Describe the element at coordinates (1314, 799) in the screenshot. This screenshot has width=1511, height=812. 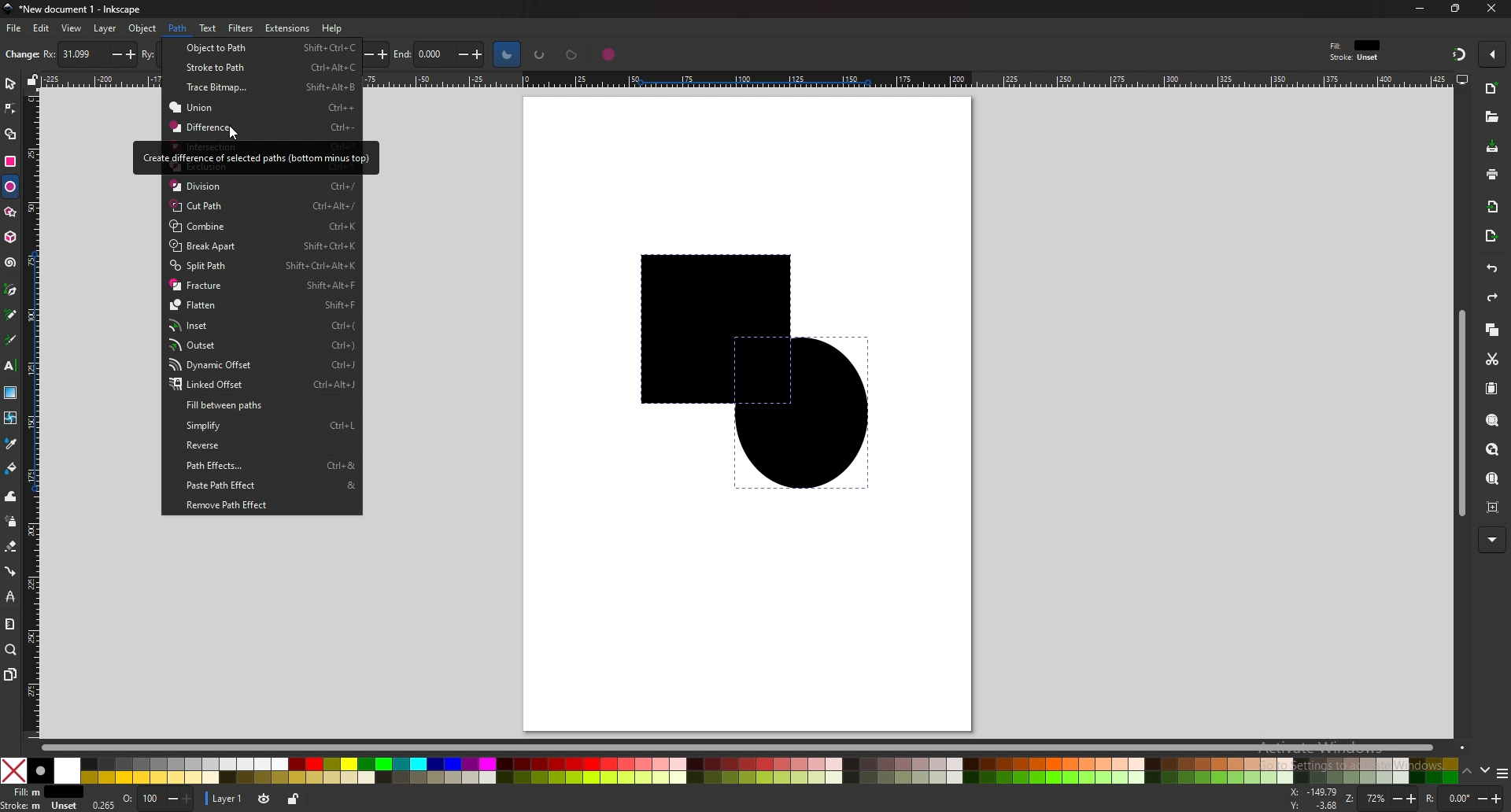
I see `x and y coordinates` at that location.